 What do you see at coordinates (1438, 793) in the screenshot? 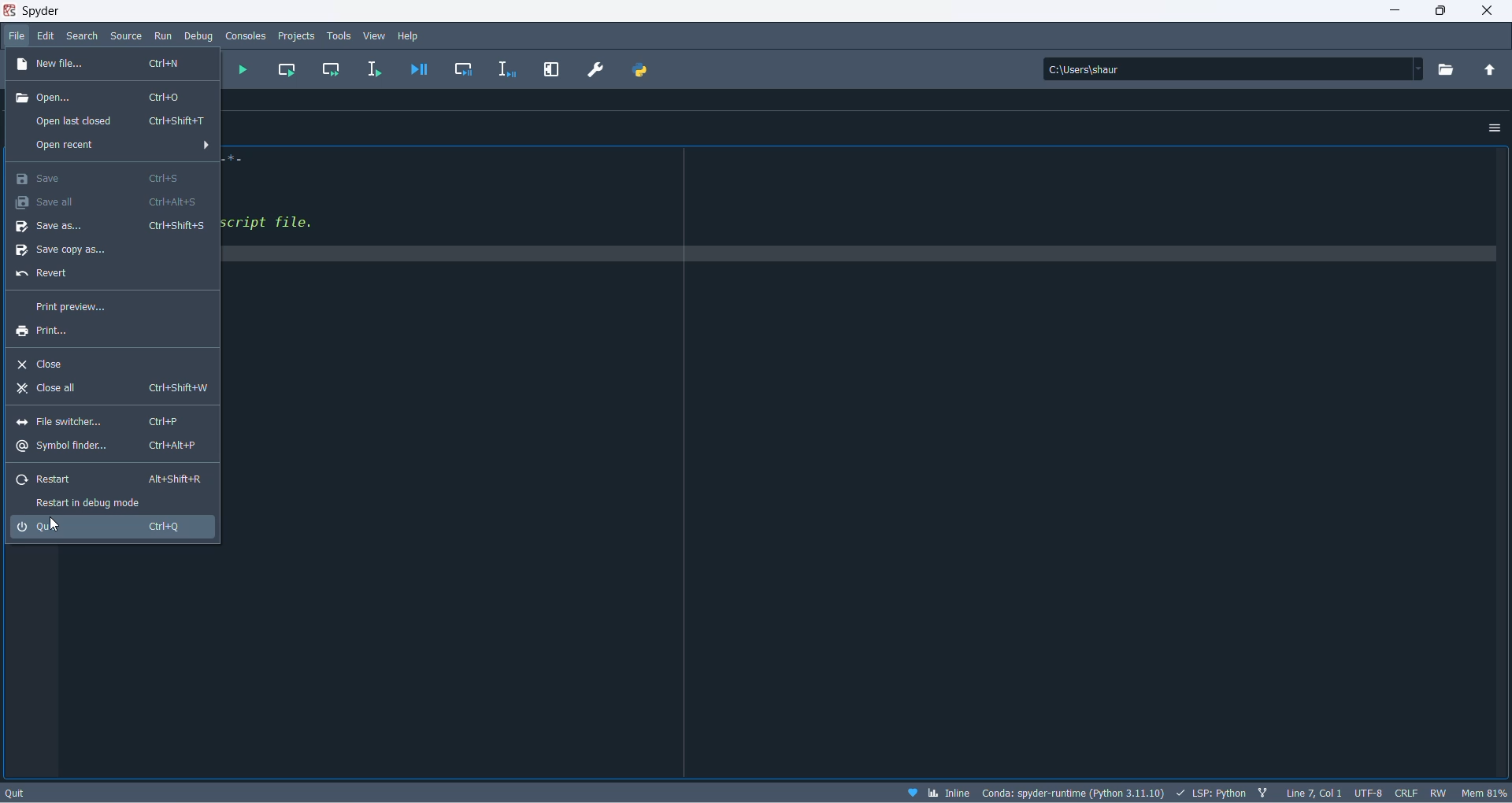
I see `file permission` at bounding box center [1438, 793].